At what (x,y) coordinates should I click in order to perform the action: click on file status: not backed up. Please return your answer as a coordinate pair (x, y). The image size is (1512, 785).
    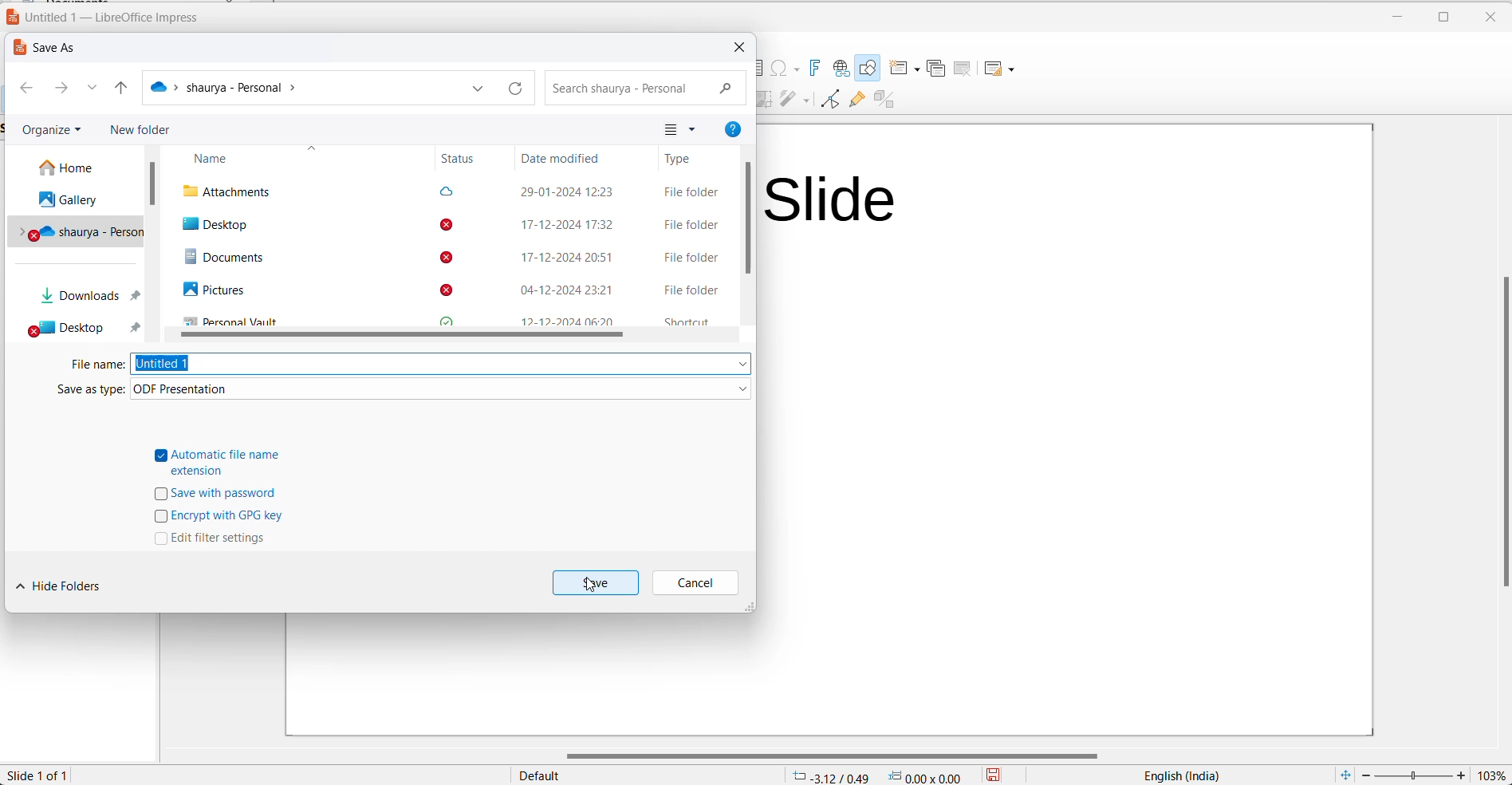
    Looking at the image, I should click on (445, 226).